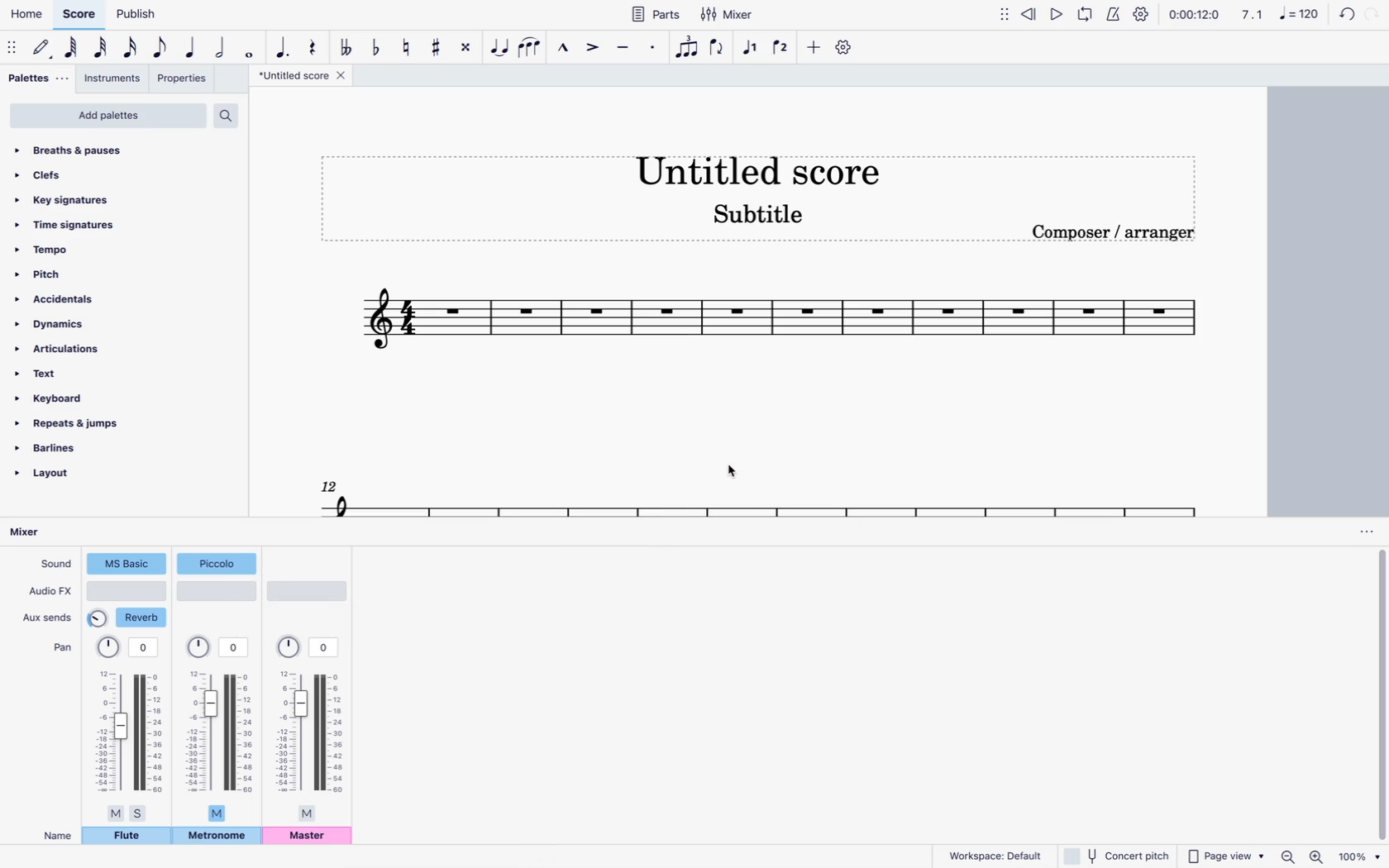  What do you see at coordinates (50, 593) in the screenshot?
I see `audio fx` at bounding box center [50, 593].